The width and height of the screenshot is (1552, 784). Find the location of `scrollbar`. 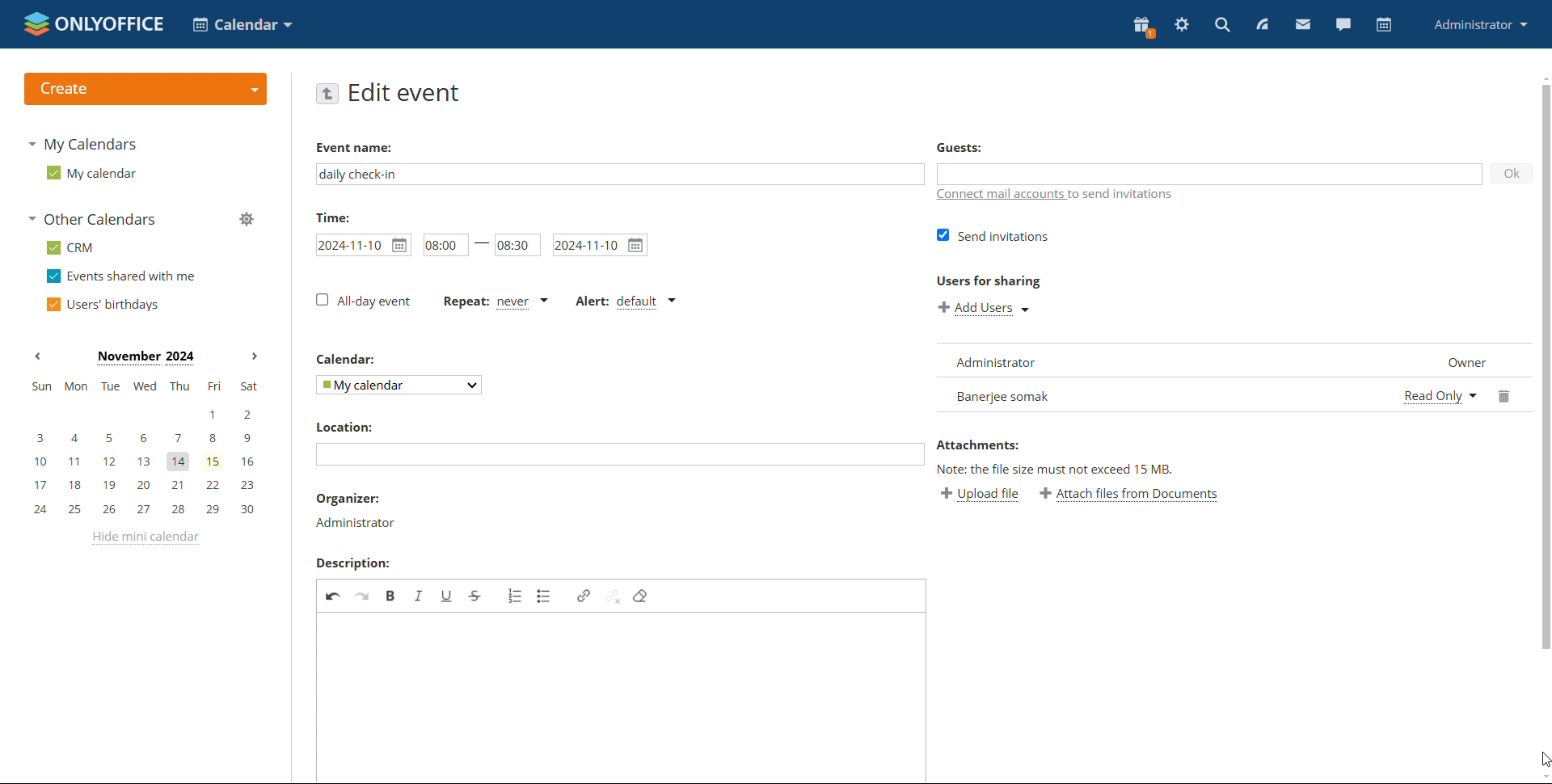

scrollbar is located at coordinates (1542, 377).